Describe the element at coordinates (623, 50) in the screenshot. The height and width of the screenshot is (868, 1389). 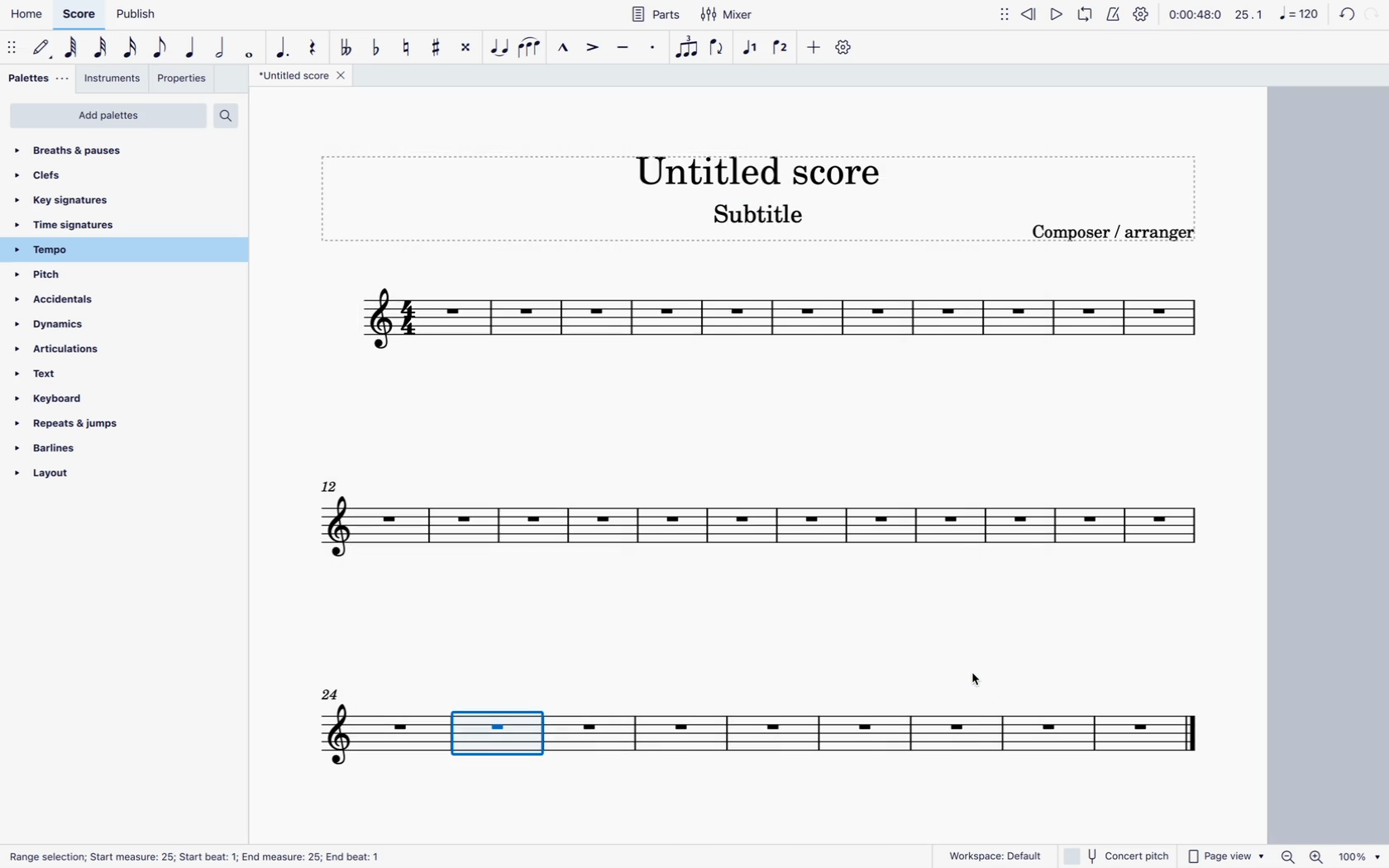
I see `tenuto` at that location.